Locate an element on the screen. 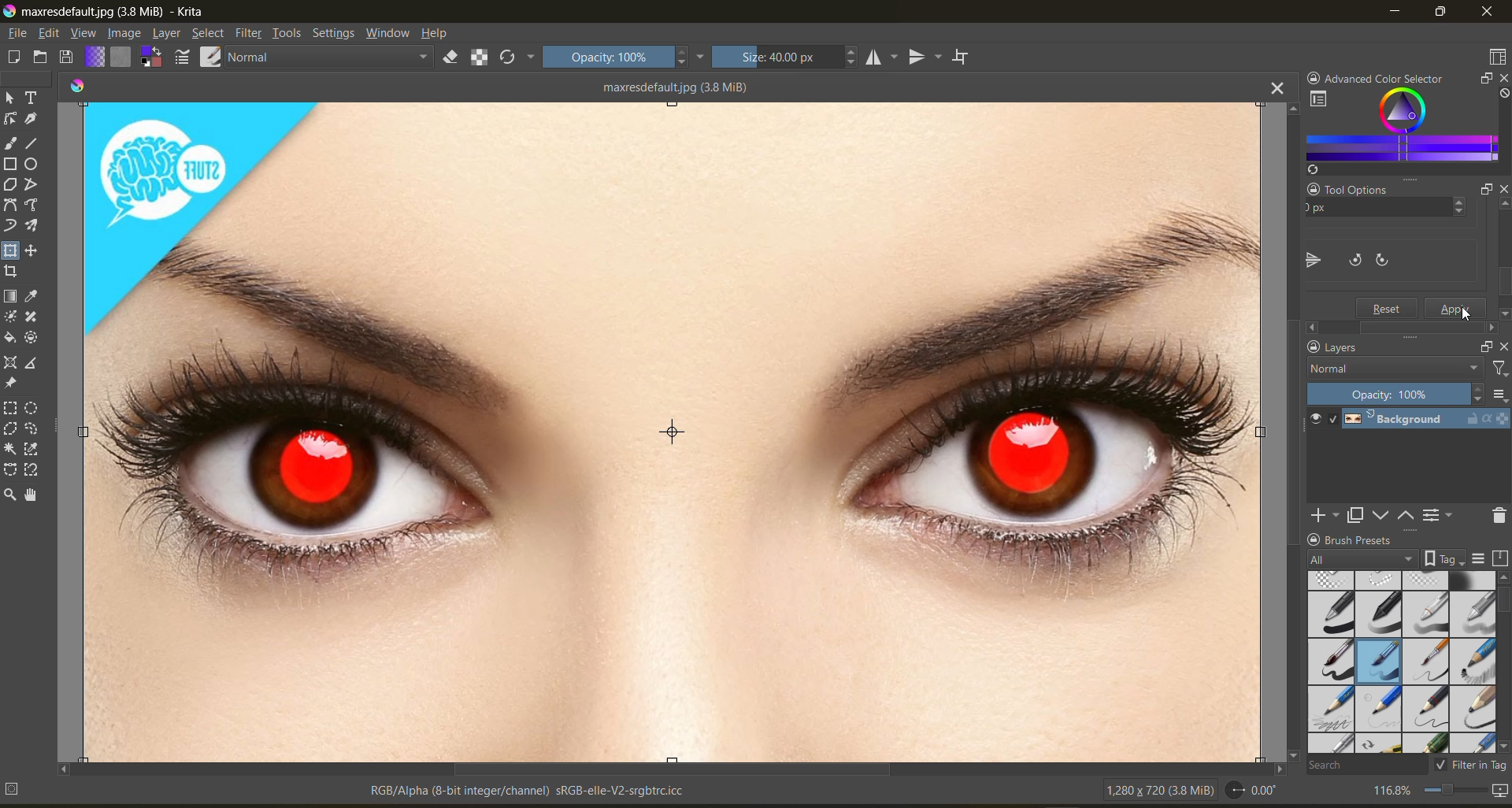  tool is located at coordinates (13, 271).